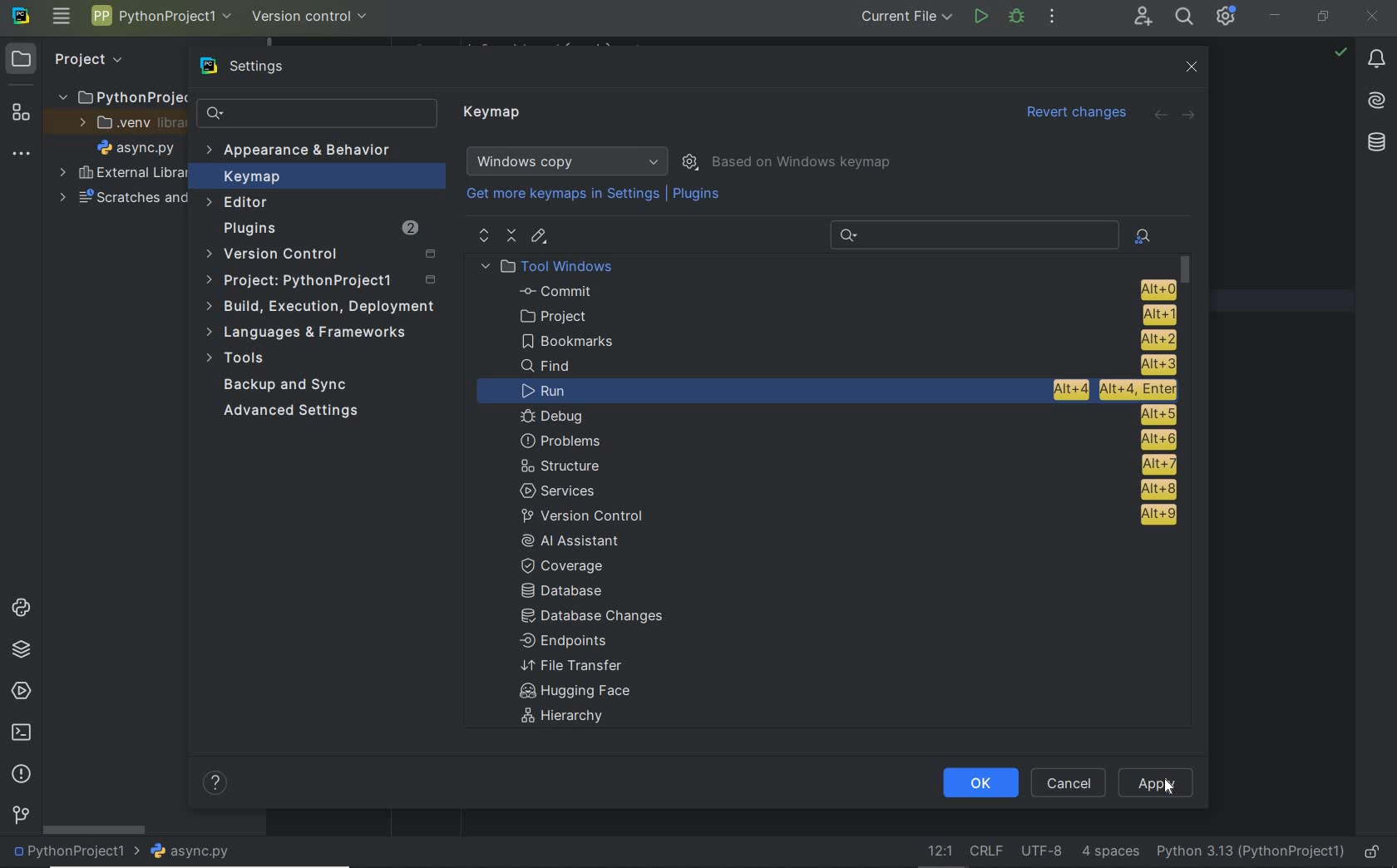  Describe the element at coordinates (1185, 17) in the screenshot. I see `search everywhere` at that location.